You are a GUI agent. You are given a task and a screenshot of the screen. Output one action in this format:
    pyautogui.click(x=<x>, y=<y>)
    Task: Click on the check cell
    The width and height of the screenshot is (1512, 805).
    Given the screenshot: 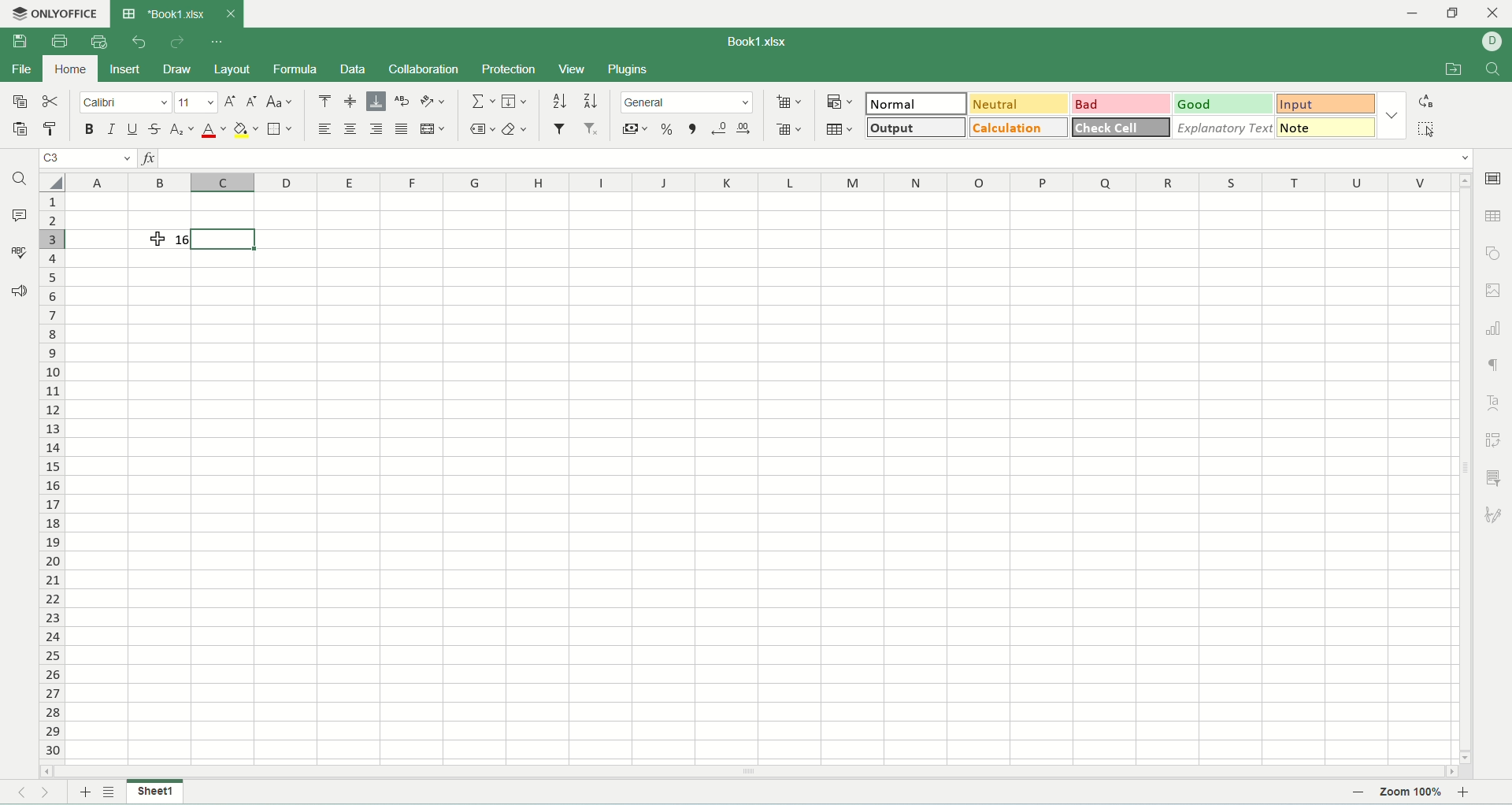 What is the action you would take?
    pyautogui.click(x=1121, y=127)
    